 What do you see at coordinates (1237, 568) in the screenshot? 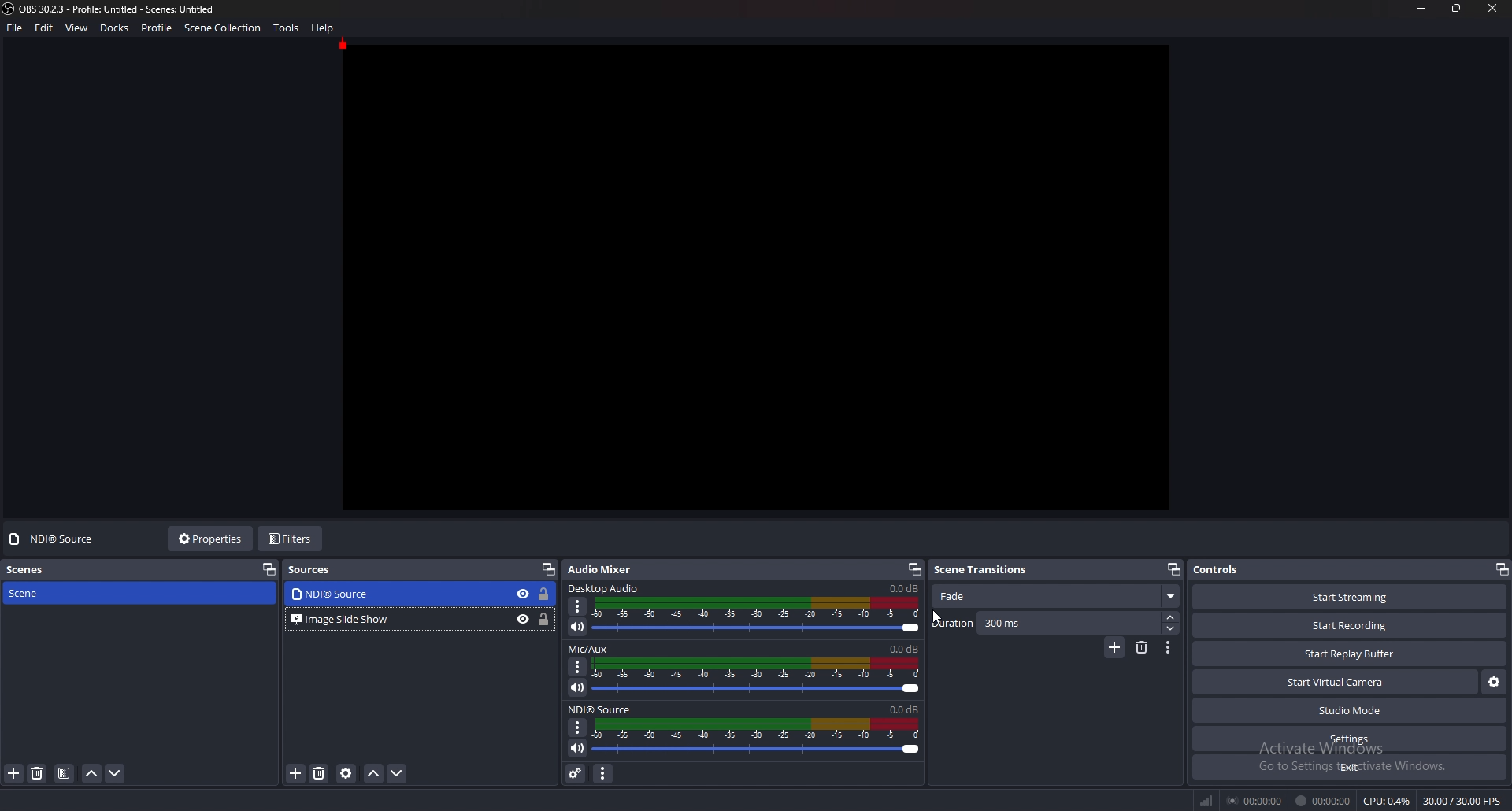
I see `controls` at bounding box center [1237, 568].